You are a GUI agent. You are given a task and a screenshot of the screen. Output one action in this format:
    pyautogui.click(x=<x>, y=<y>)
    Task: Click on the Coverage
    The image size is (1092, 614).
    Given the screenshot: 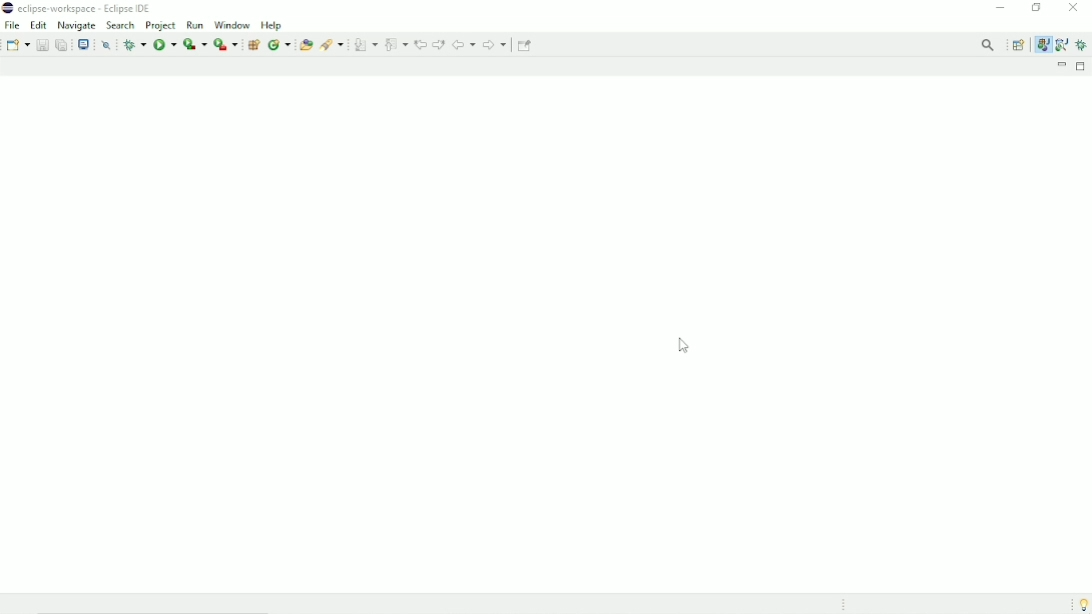 What is the action you would take?
    pyautogui.click(x=195, y=43)
    